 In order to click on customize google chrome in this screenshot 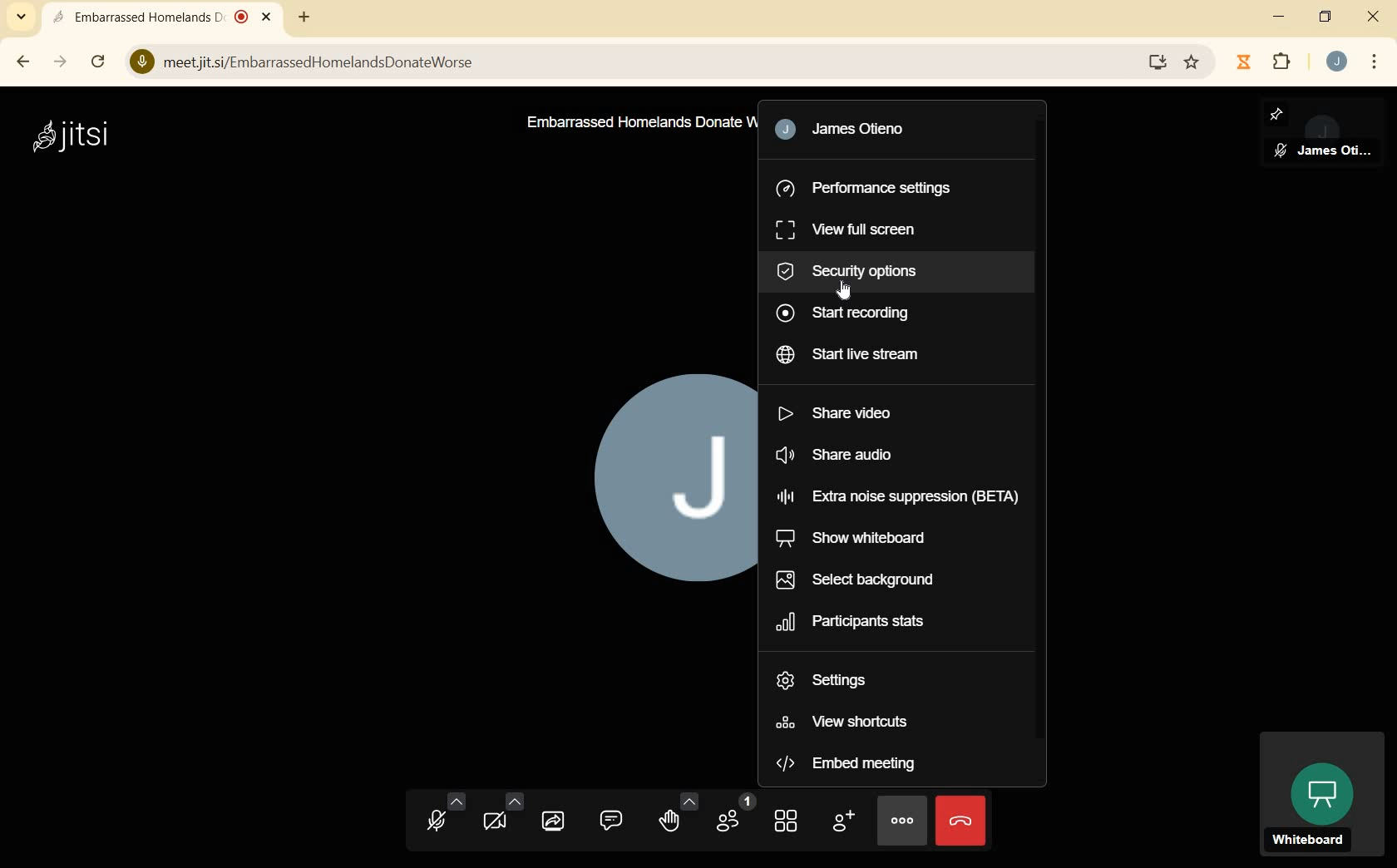, I will do `click(1374, 62)`.